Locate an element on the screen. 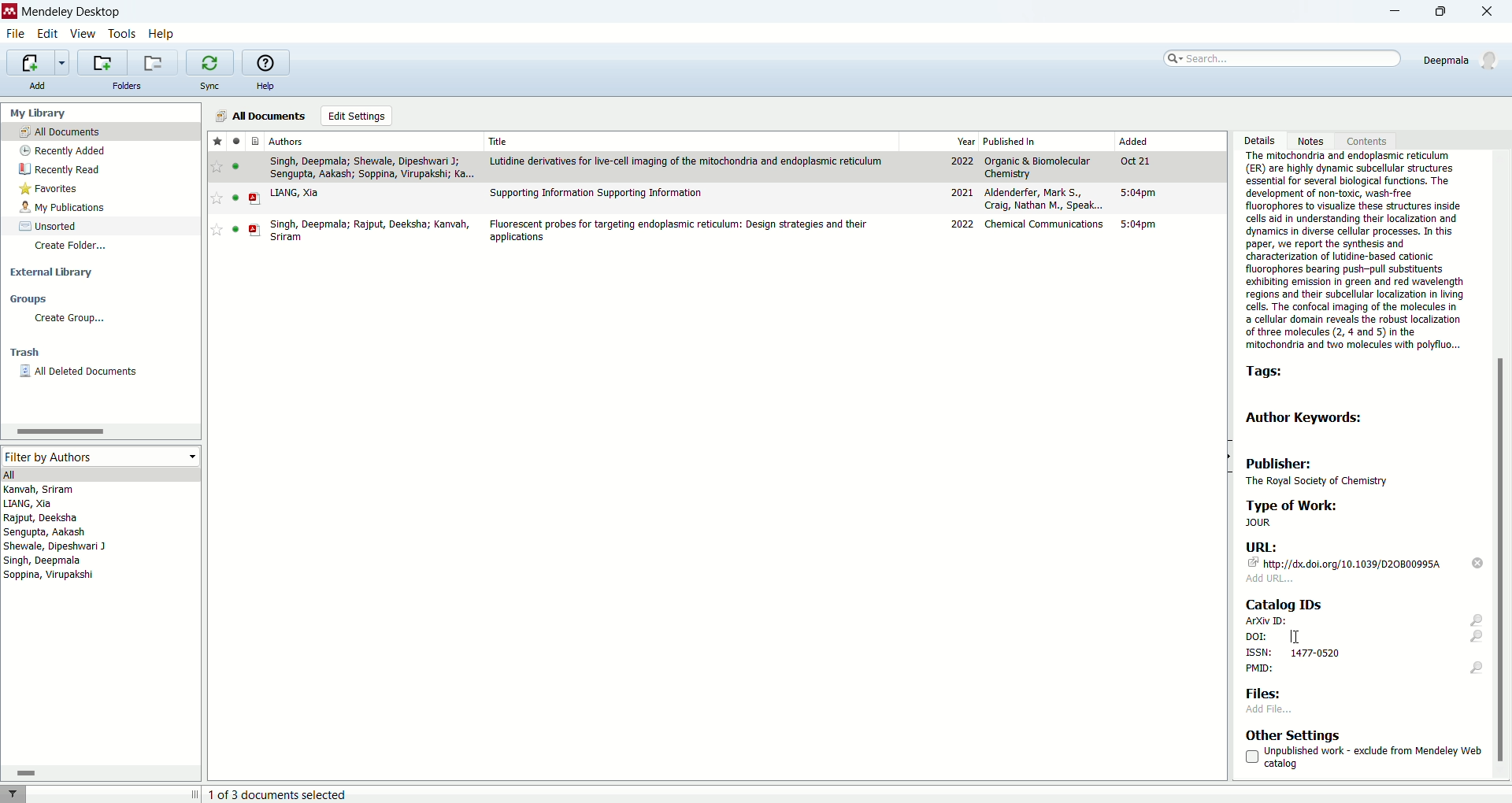 The image size is (1512, 803). create a new folder is located at coordinates (101, 62).